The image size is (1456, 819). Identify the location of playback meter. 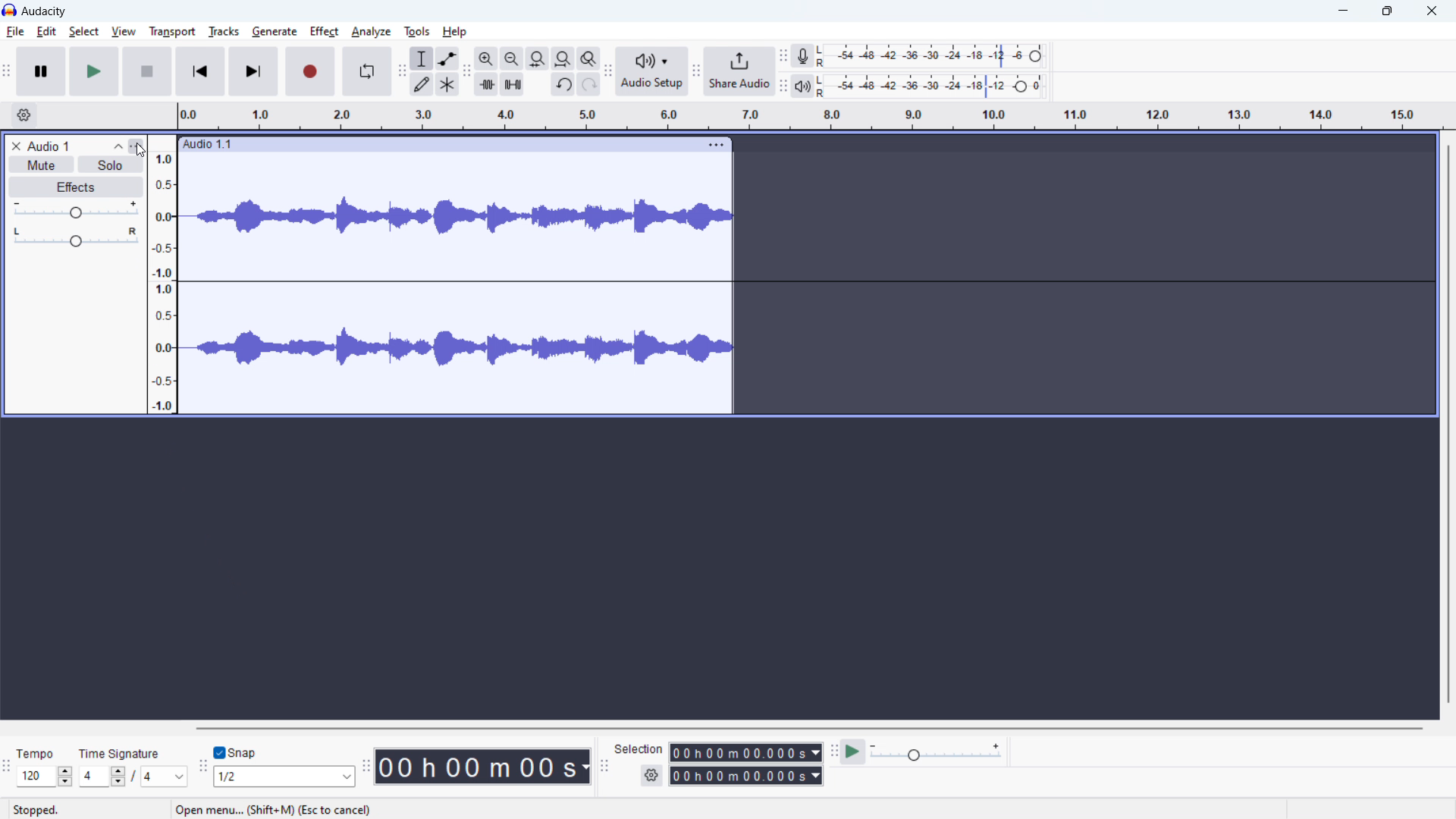
(805, 86).